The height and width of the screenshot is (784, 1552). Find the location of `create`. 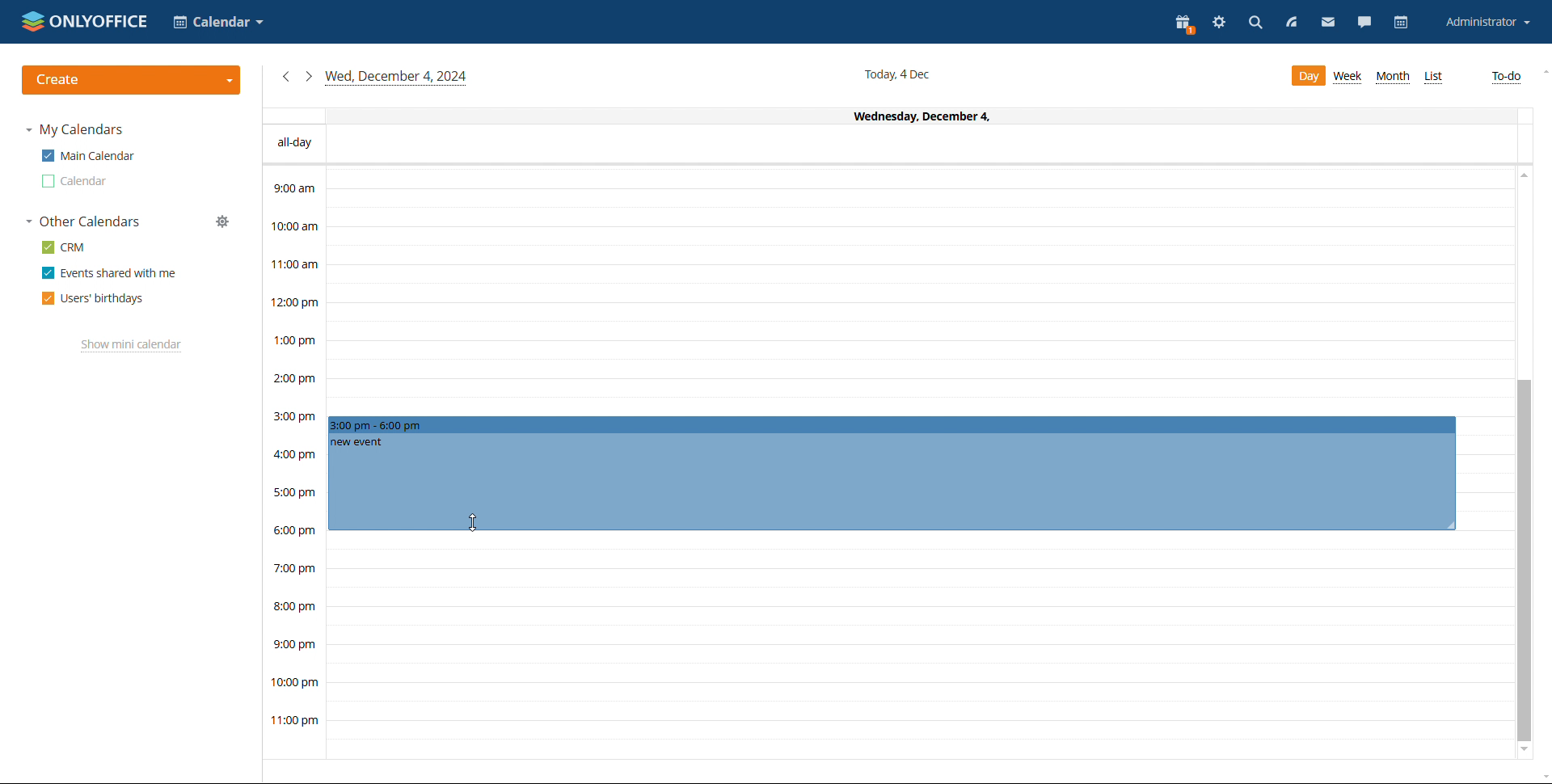

create is located at coordinates (131, 80).